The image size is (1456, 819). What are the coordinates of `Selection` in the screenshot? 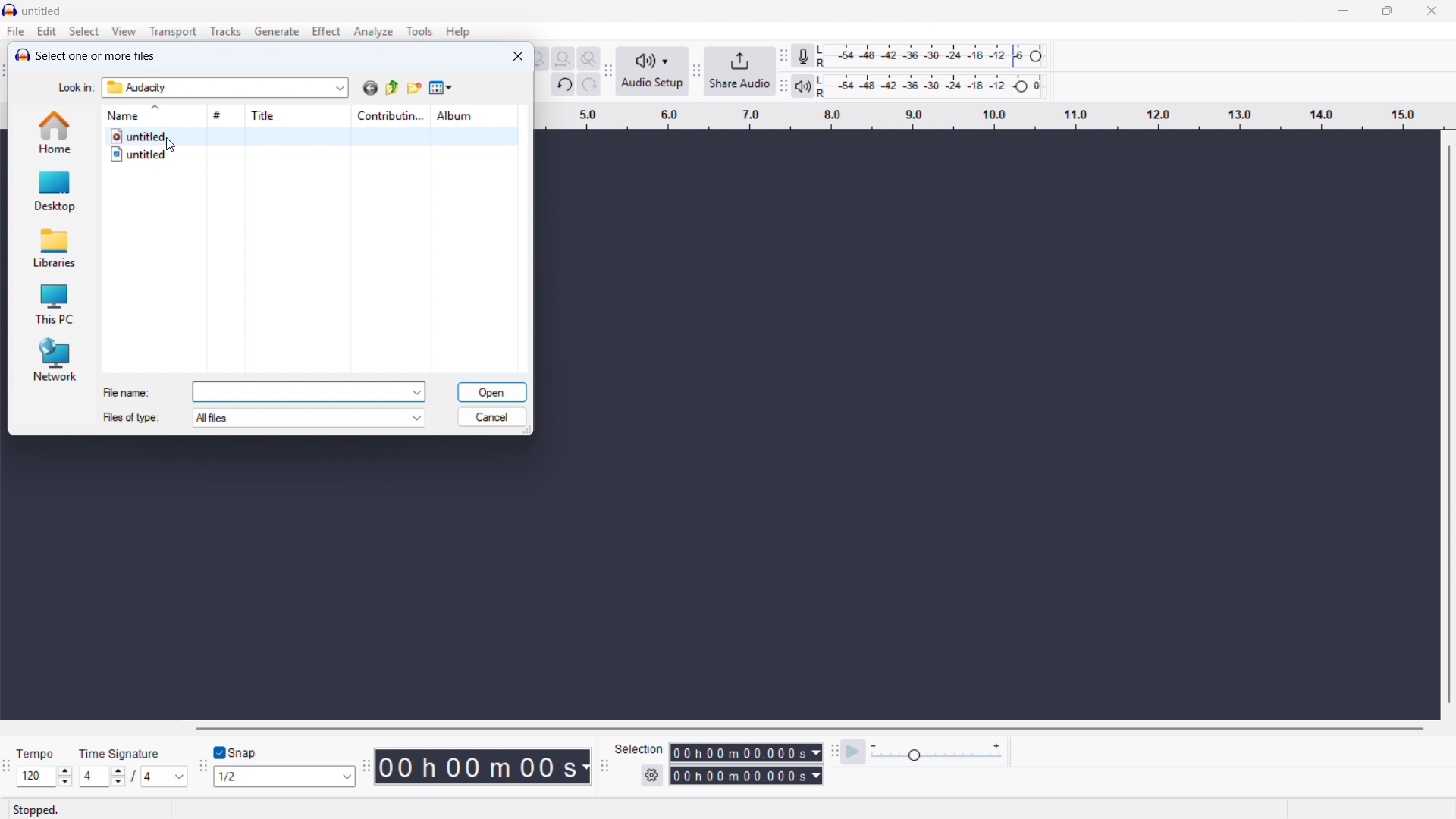 It's located at (640, 749).